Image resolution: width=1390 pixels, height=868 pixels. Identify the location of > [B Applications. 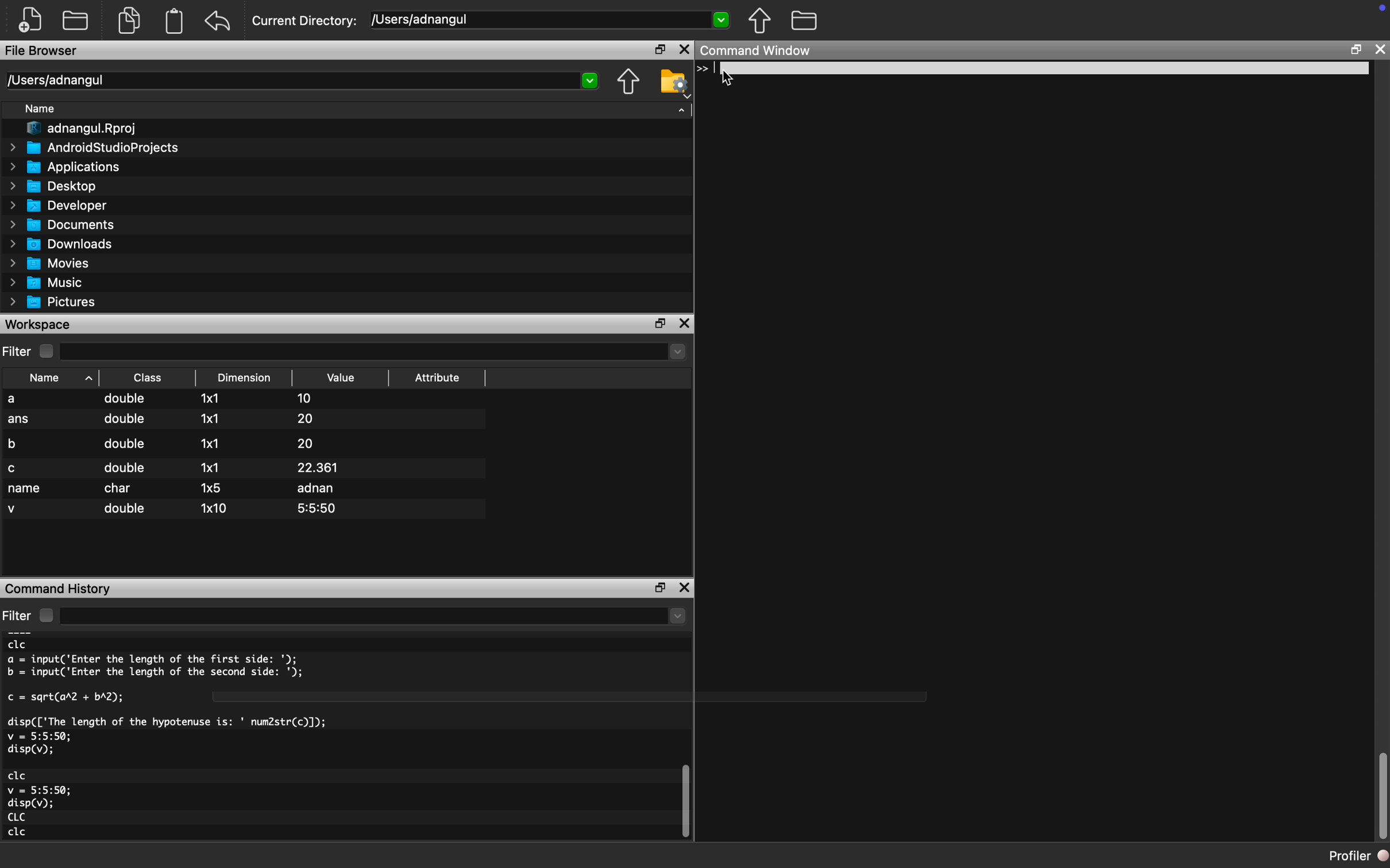
(65, 167).